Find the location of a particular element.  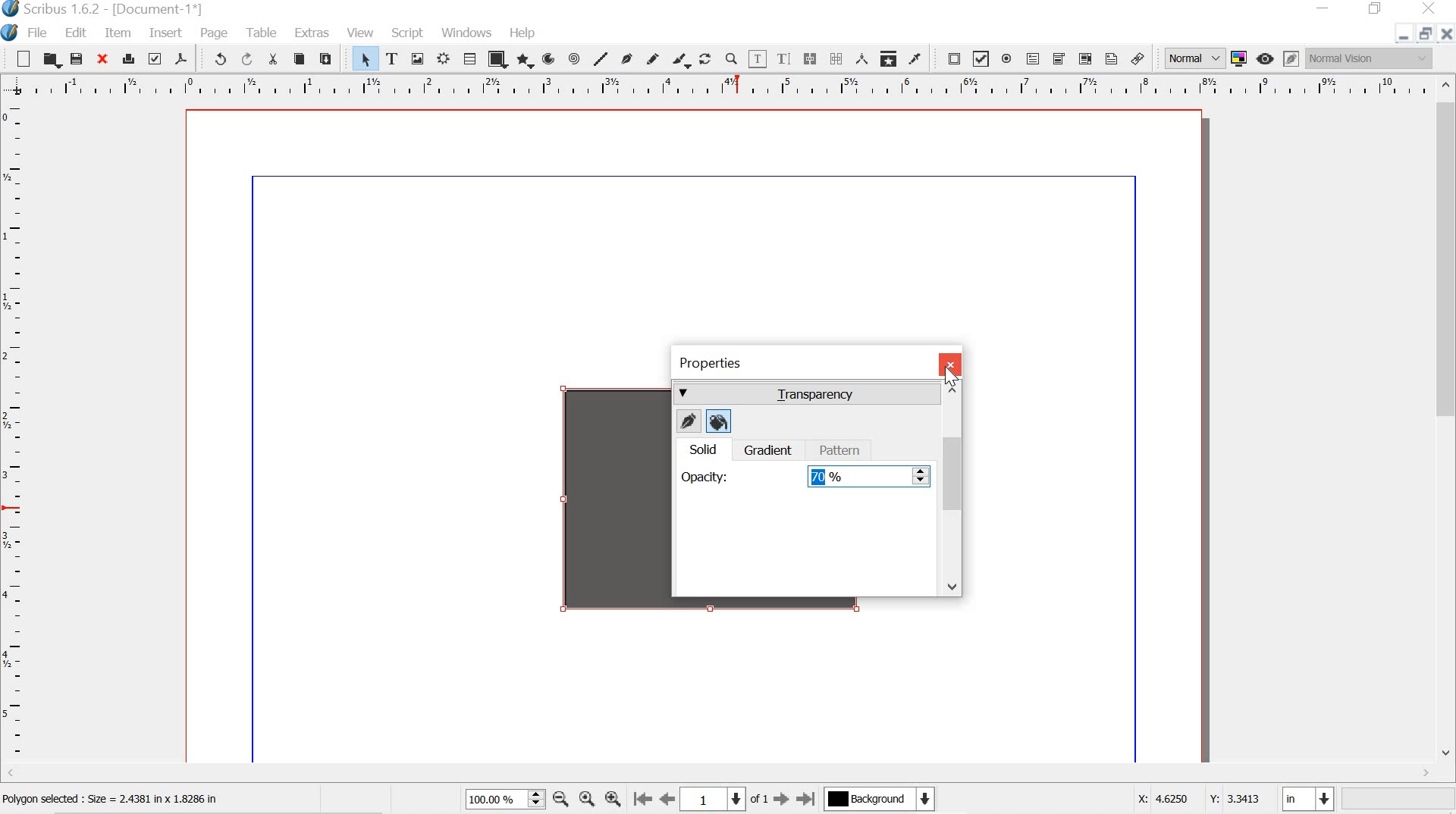

copy is located at coordinates (299, 58).